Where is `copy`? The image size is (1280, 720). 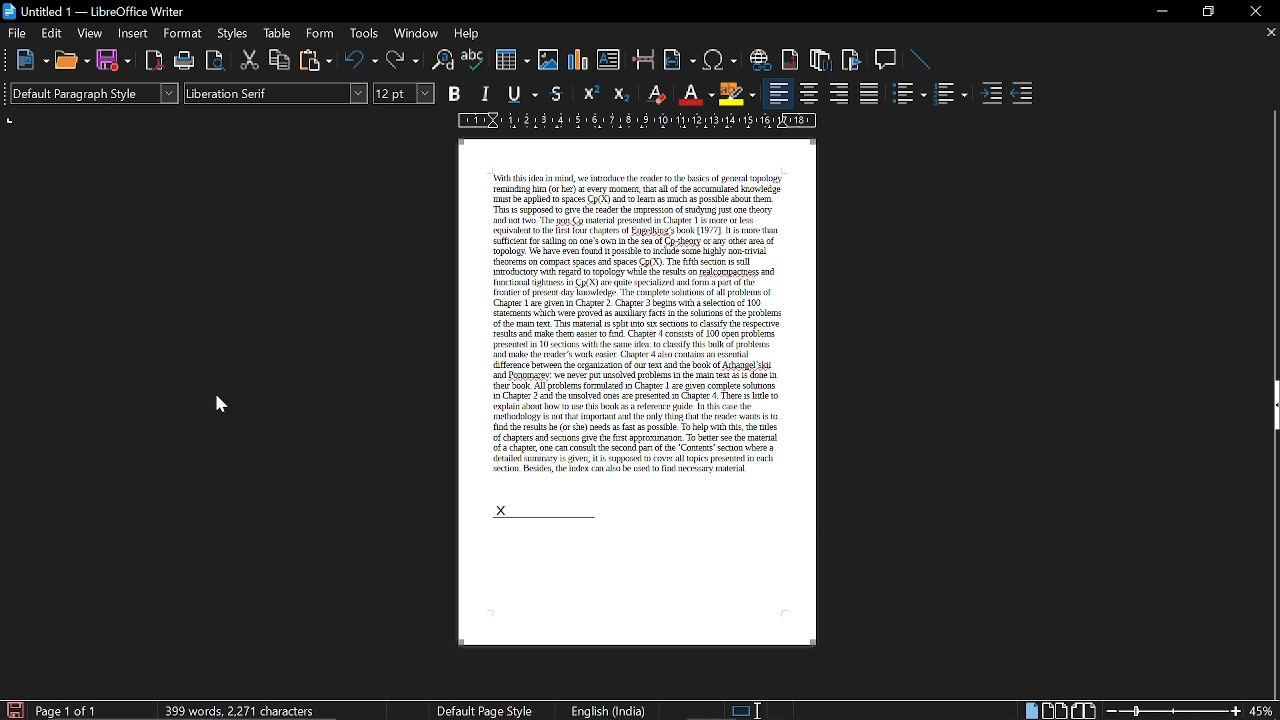
copy is located at coordinates (280, 60).